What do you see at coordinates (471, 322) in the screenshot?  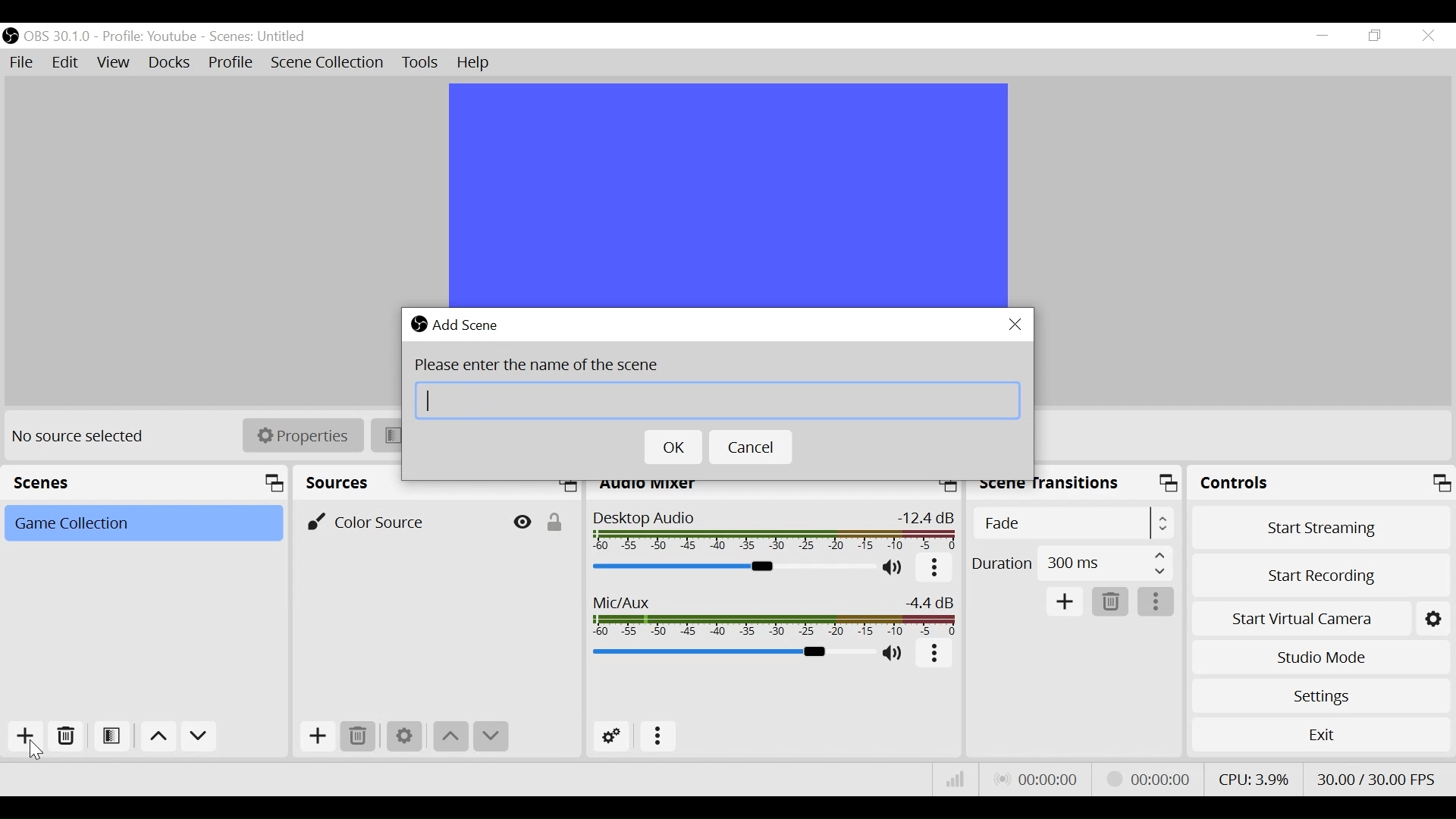 I see `Add Scene` at bounding box center [471, 322].